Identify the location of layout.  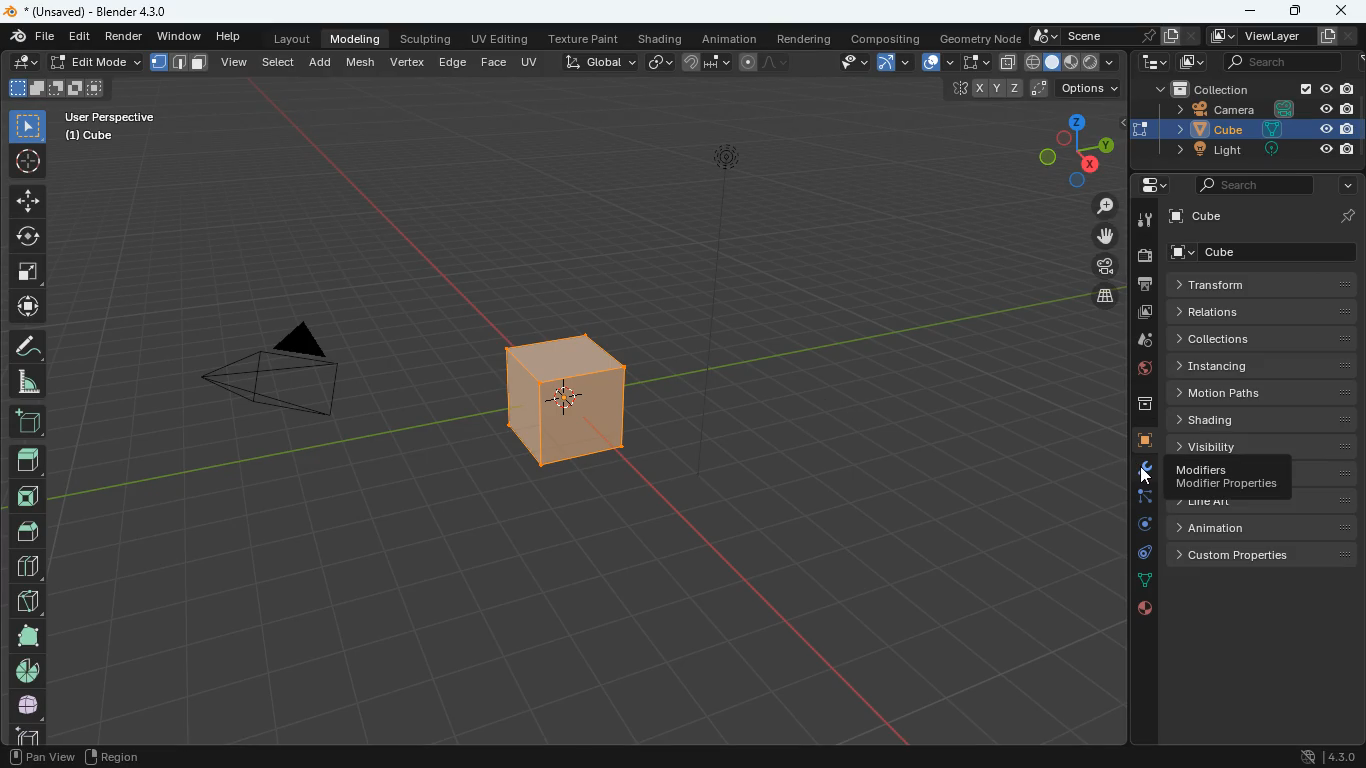
(295, 37).